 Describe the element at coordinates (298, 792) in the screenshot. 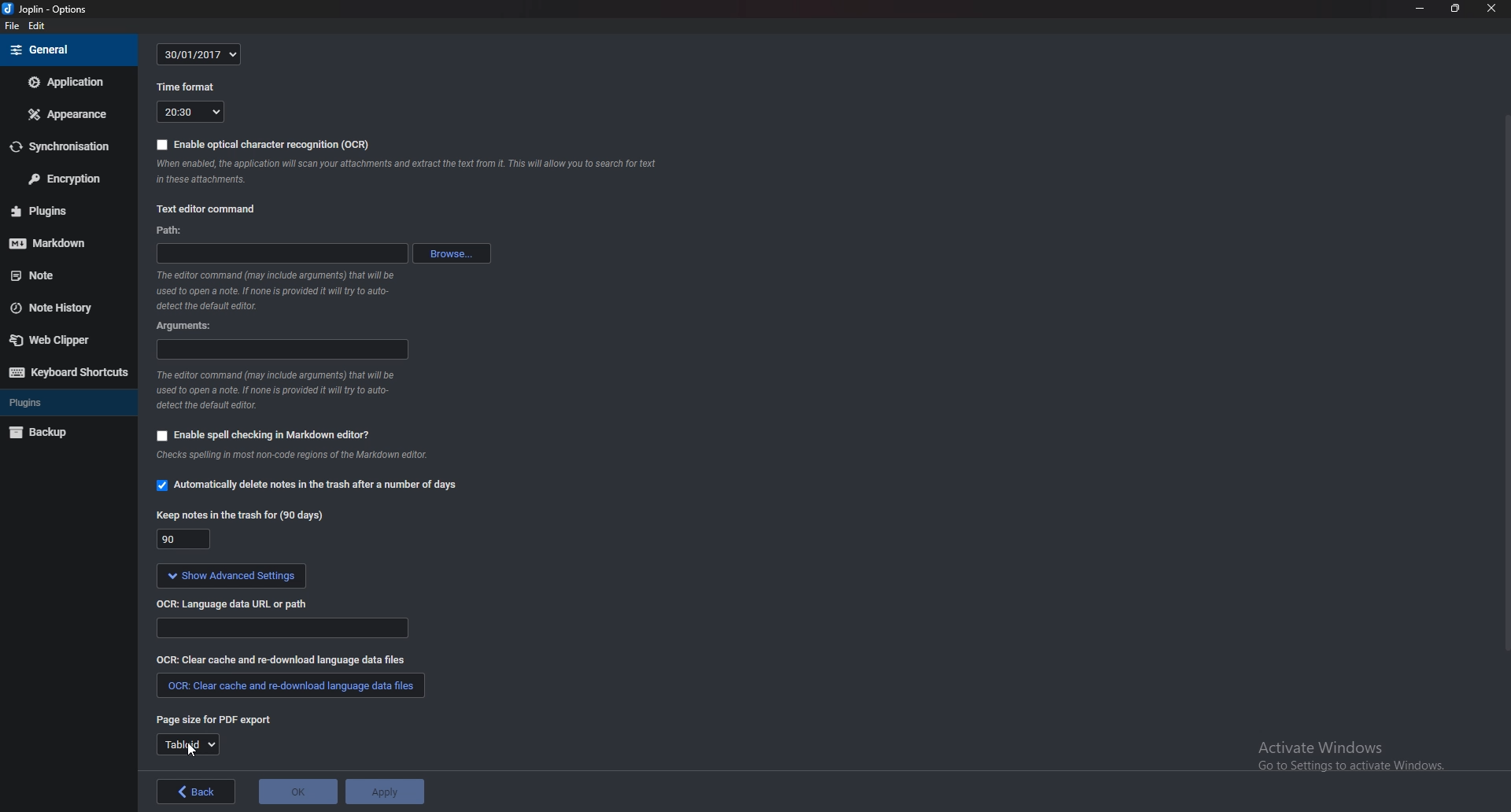

I see `OK` at that location.